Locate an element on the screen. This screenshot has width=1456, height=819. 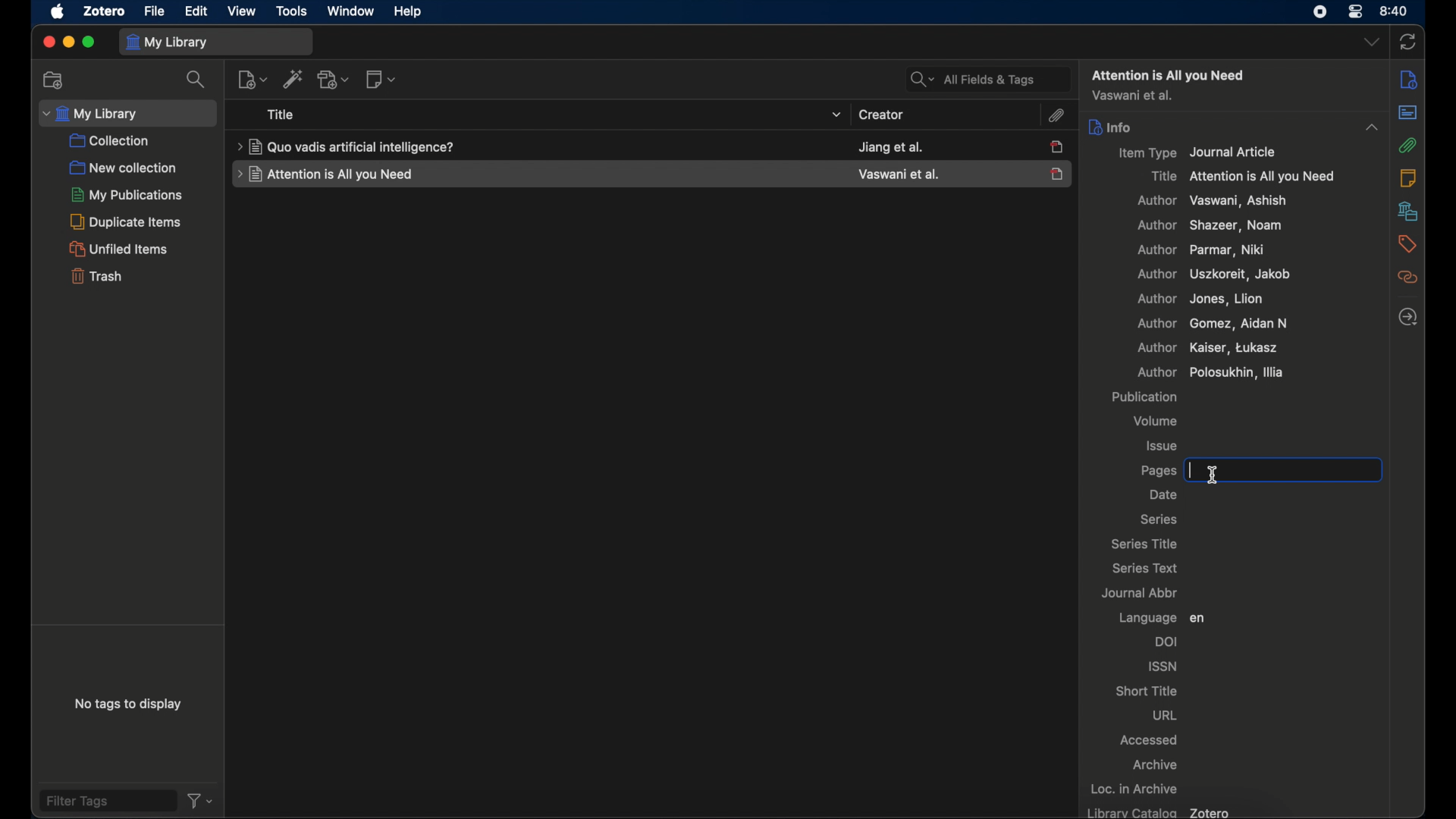
maximize is located at coordinates (89, 43).